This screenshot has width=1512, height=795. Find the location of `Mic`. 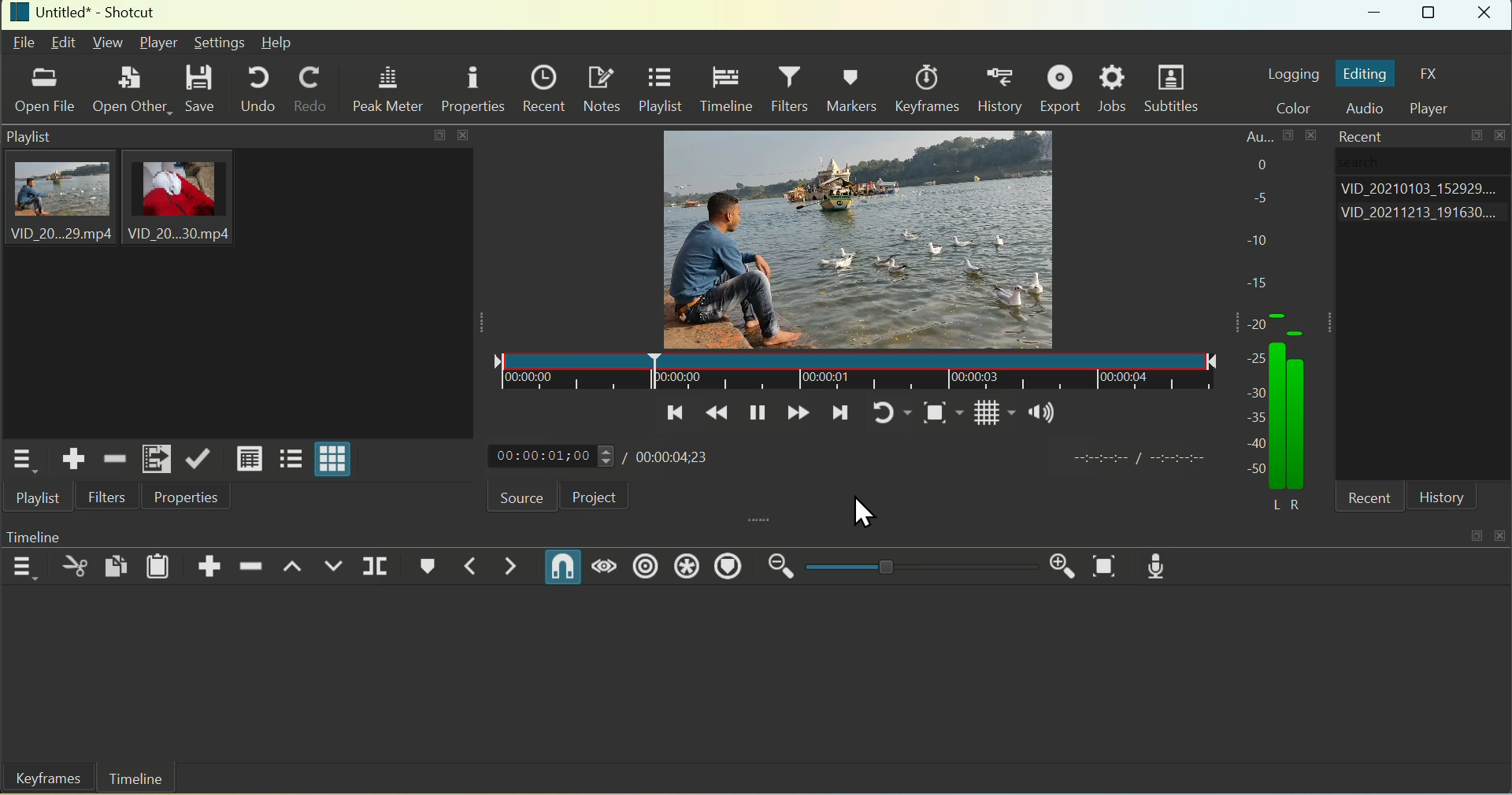

Mic is located at coordinates (1163, 565).